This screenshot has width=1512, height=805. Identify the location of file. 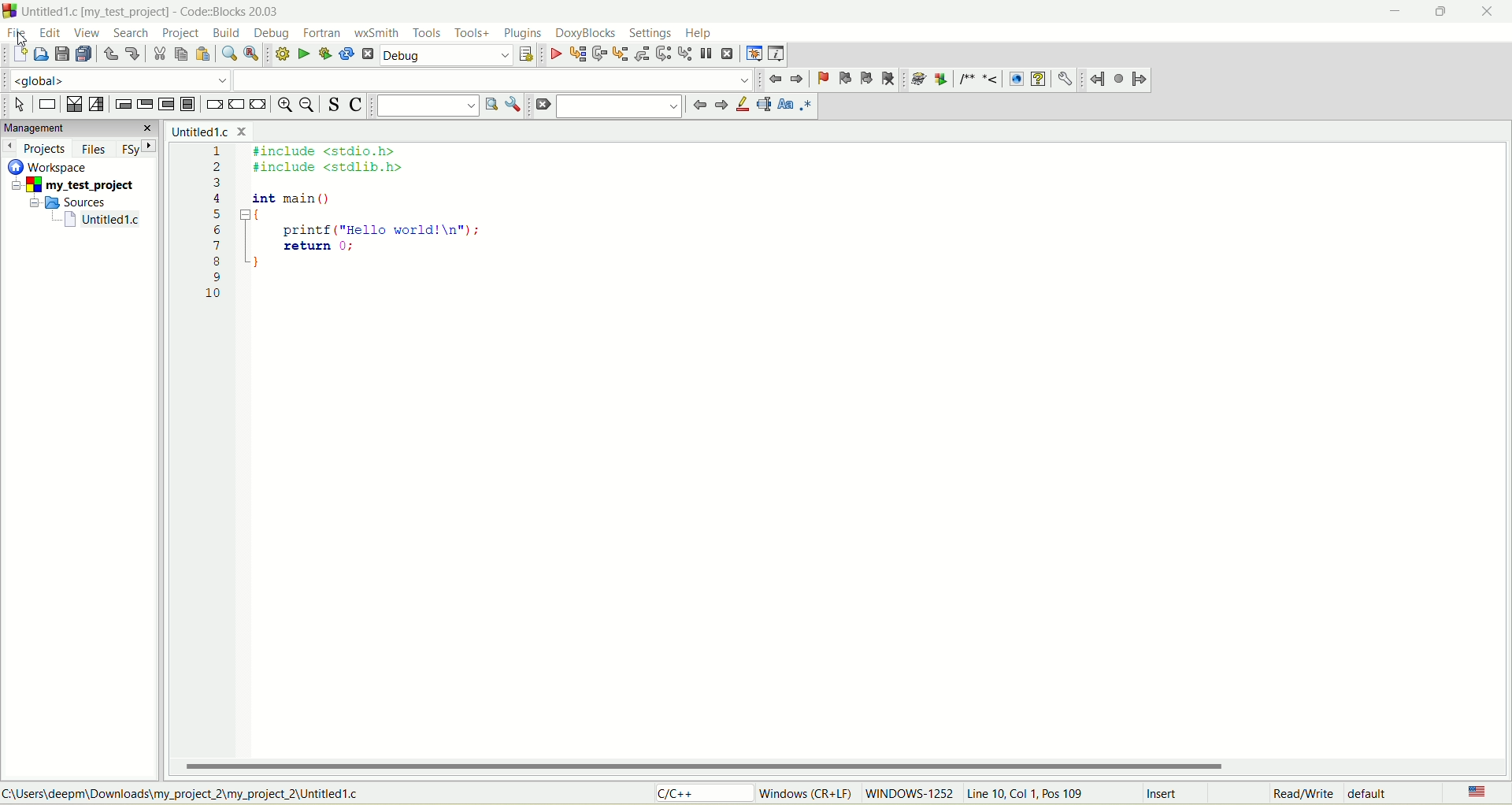
(15, 32).